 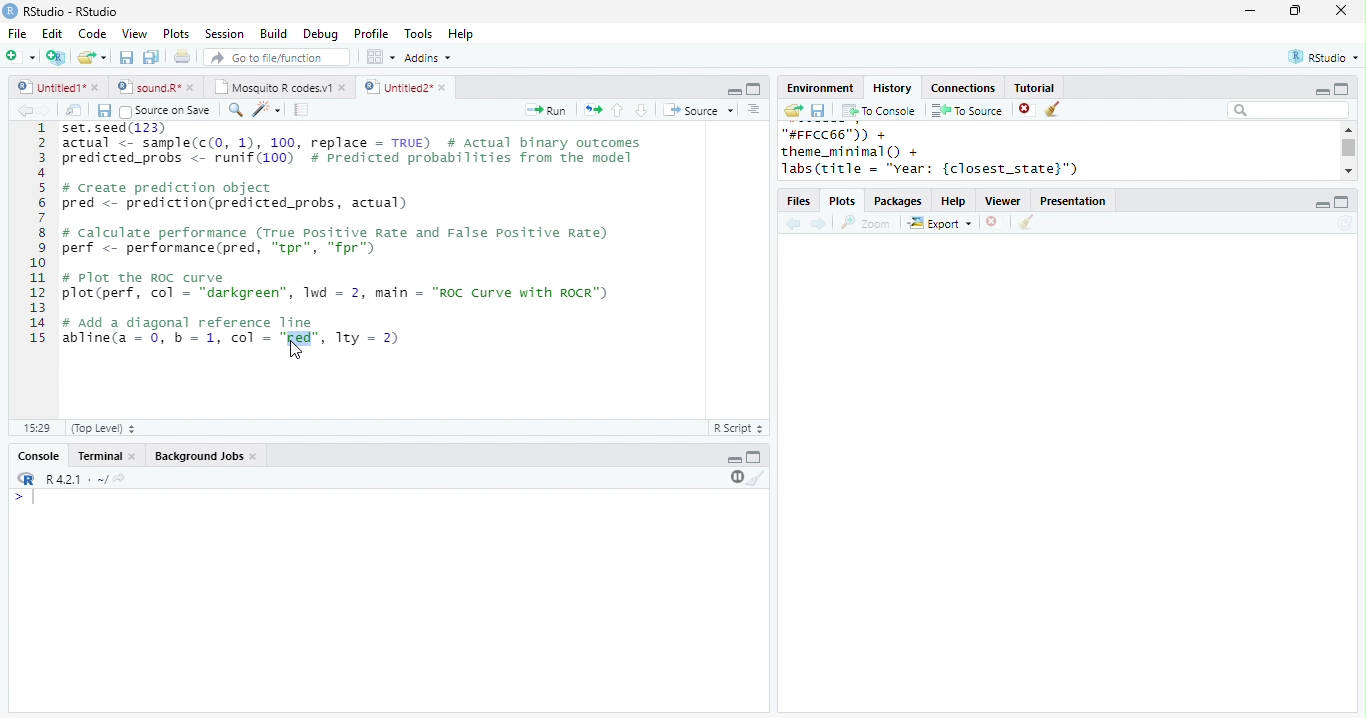 What do you see at coordinates (134, 34) in the screenshot?
I see `View` at bounding box center [134, 34].